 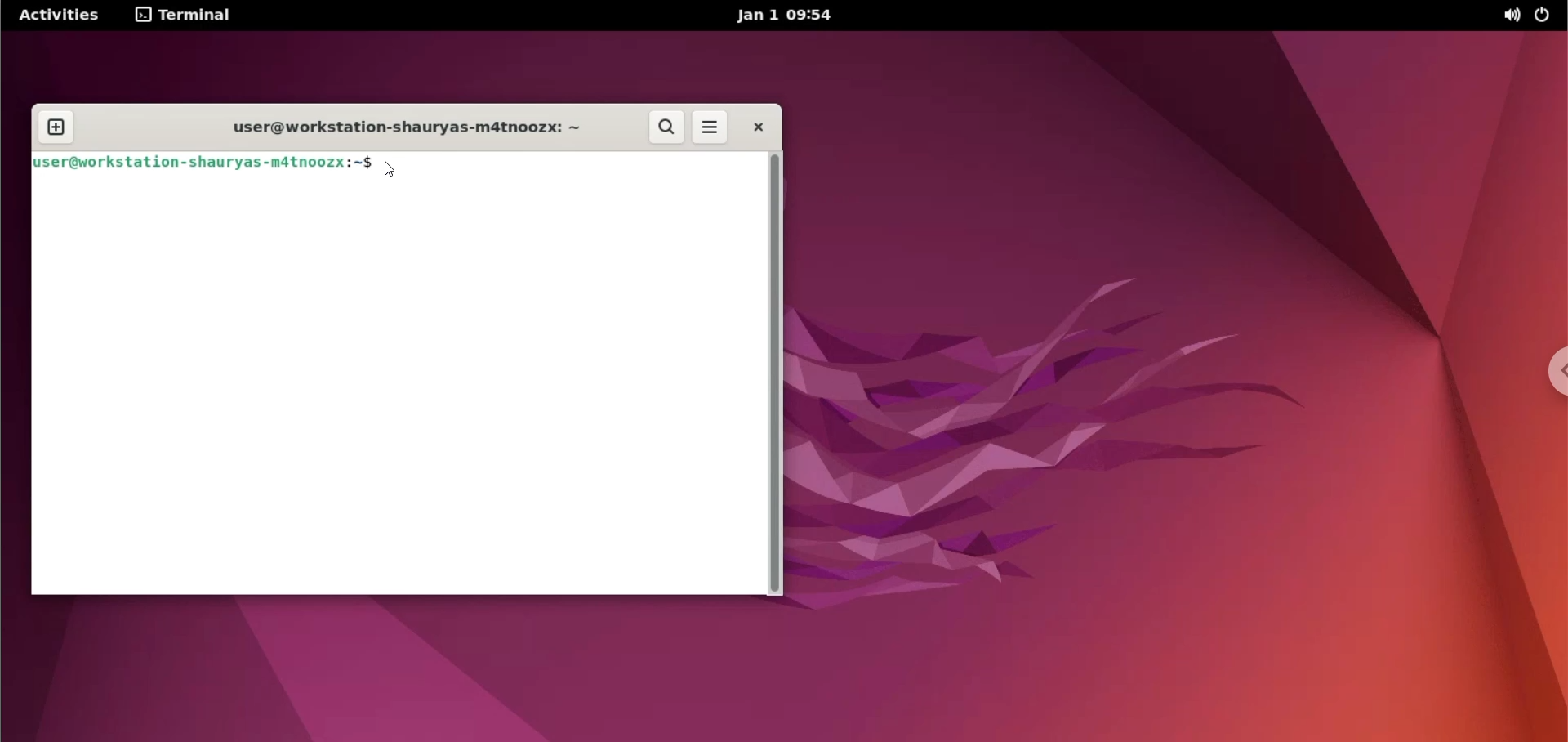 What do you see at coordinates (1510, 17) in the screenshot?
I see `sound options` at bounding box center [1510, 17].